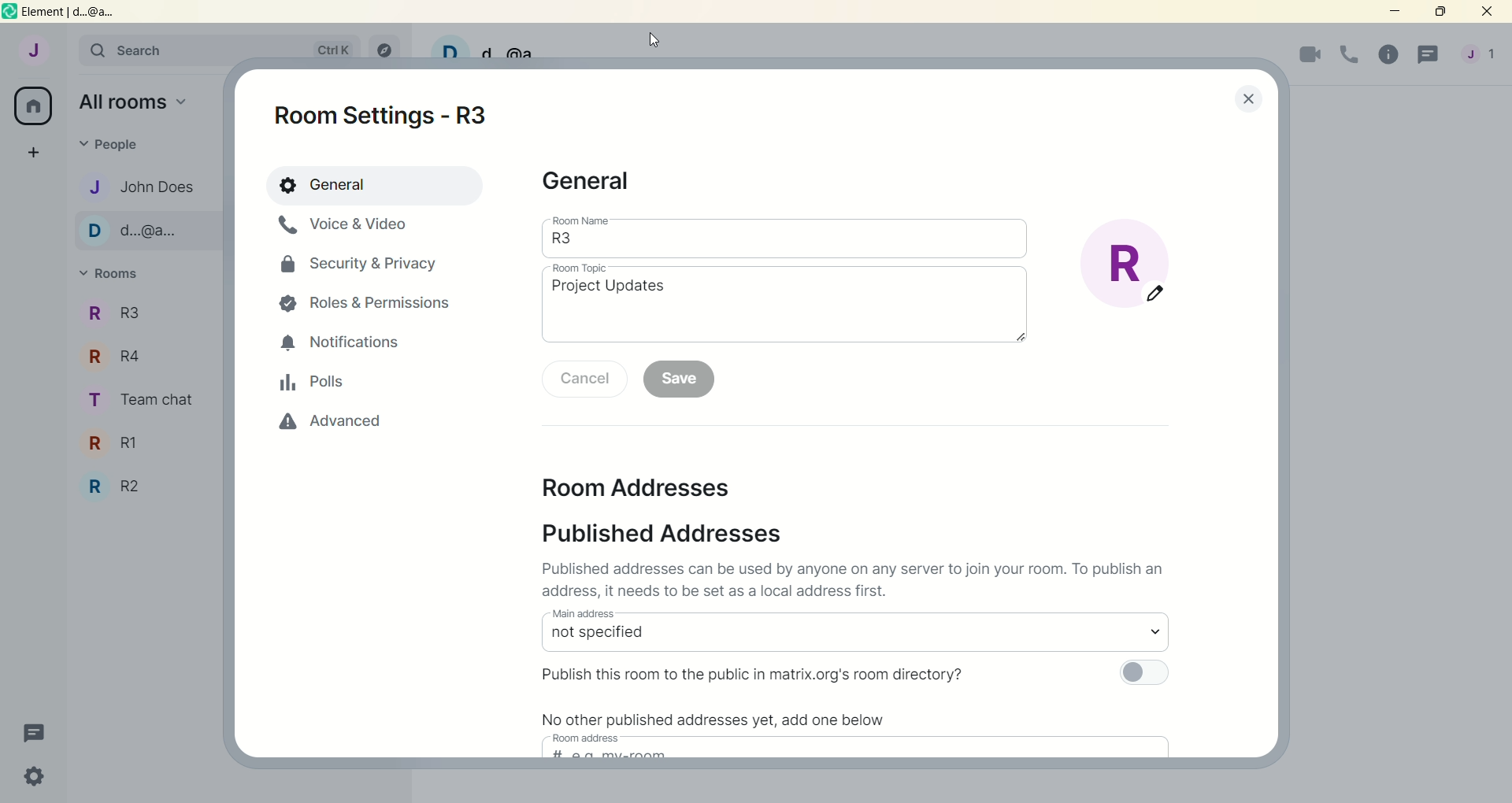 This screenshot has width=1512, height=803. I want to click on create a space, so click(31, 151).